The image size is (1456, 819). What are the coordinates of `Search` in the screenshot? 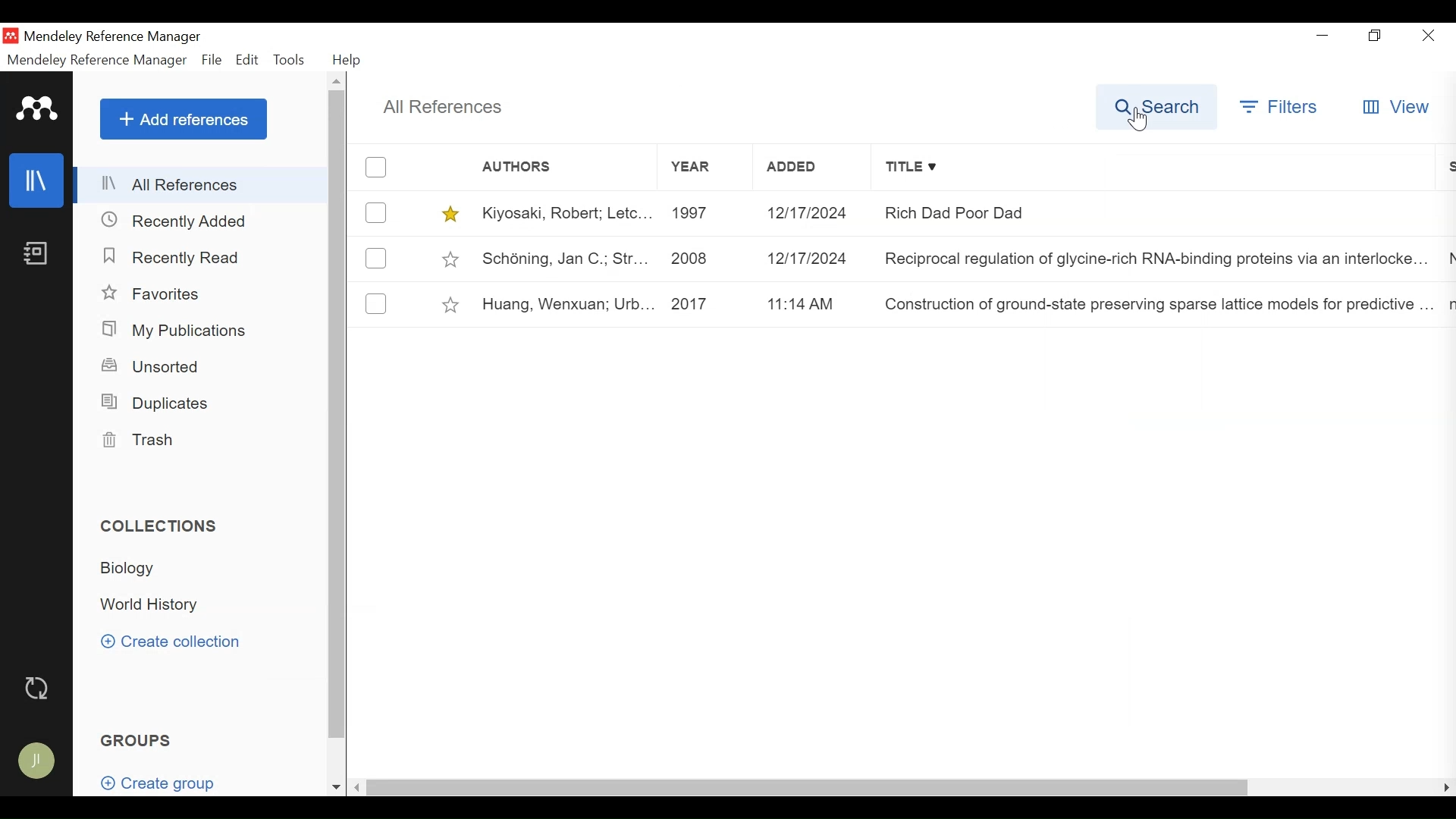 It's located at (1153, 106).